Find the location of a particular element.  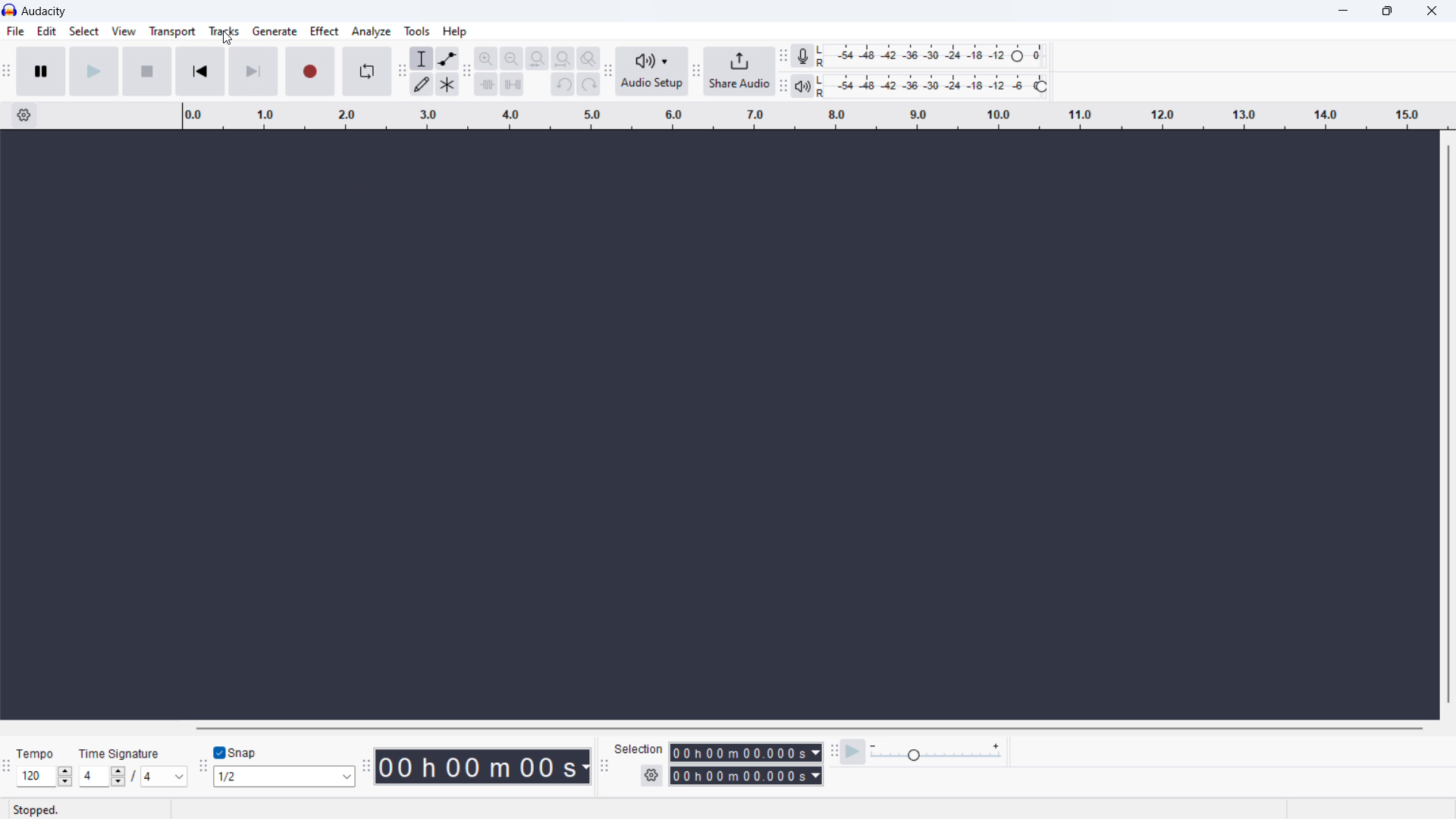

draw tool is located at coordinates (423, 85).